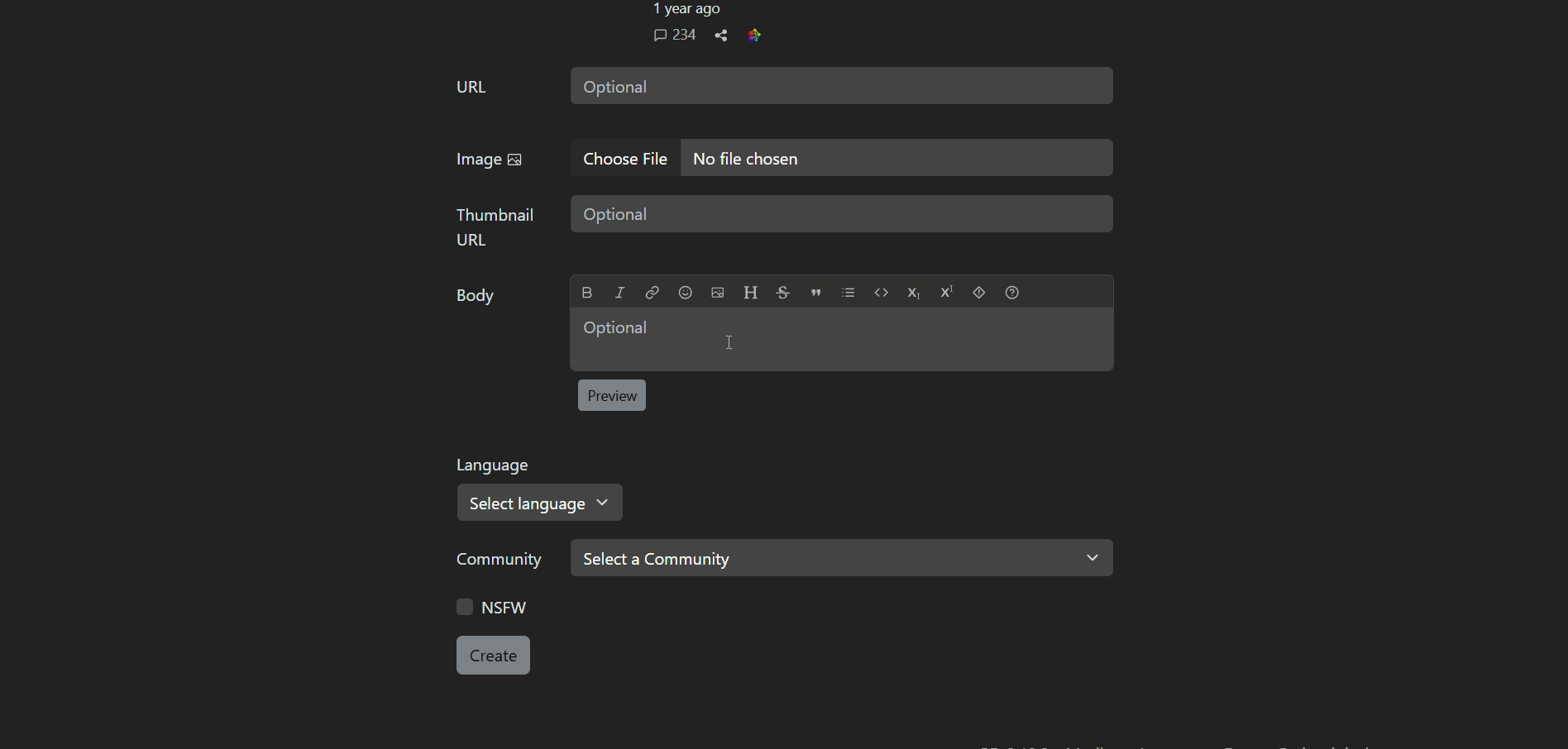 Image resolution: width=1568 pixels, height=749 pixels. Describe the element at coordinates (946, 291) in the screenshot. I see `Superscript` at that location.